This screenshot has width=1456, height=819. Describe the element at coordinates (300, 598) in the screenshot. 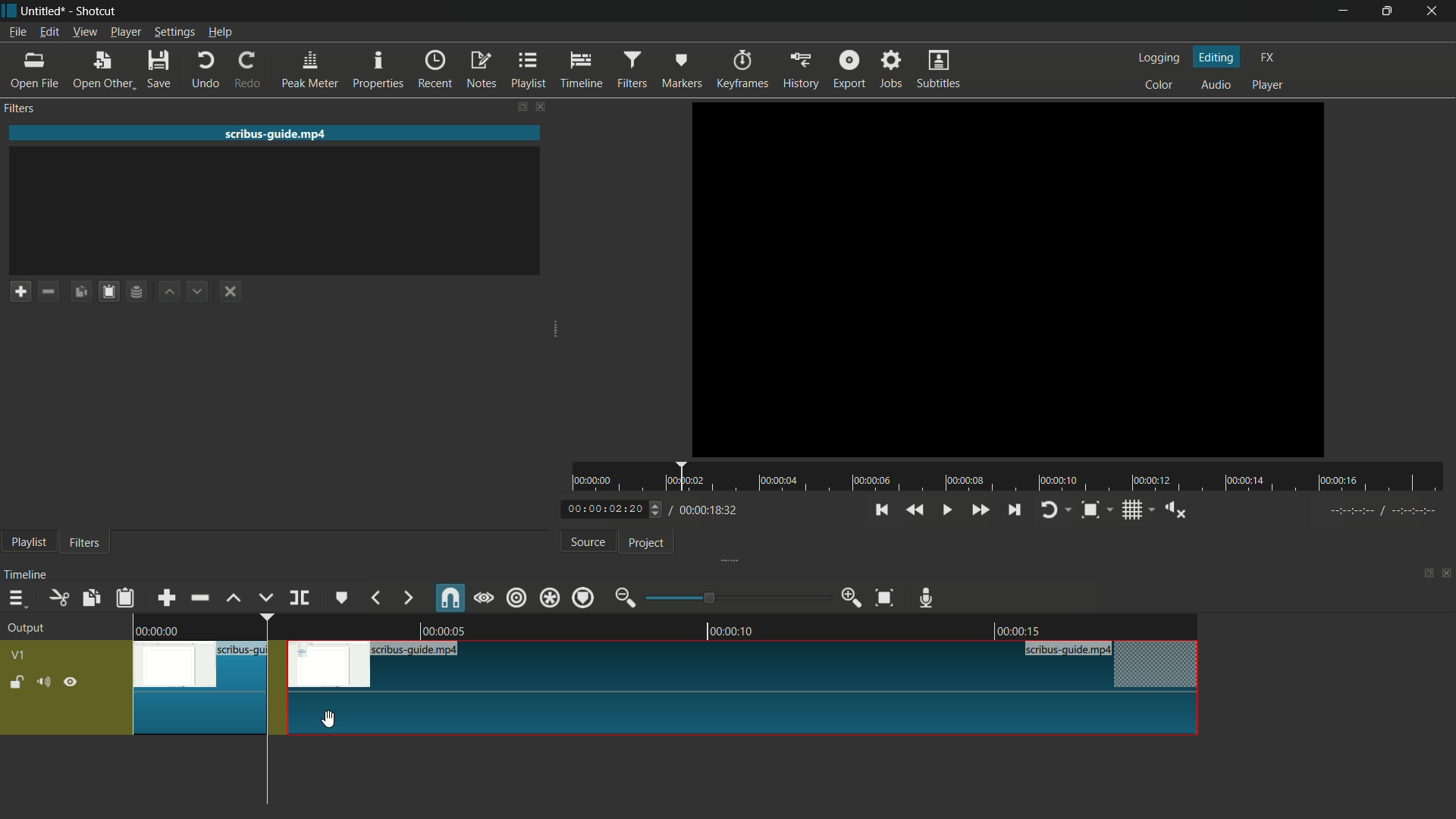

I see `split at playhead` at that location.